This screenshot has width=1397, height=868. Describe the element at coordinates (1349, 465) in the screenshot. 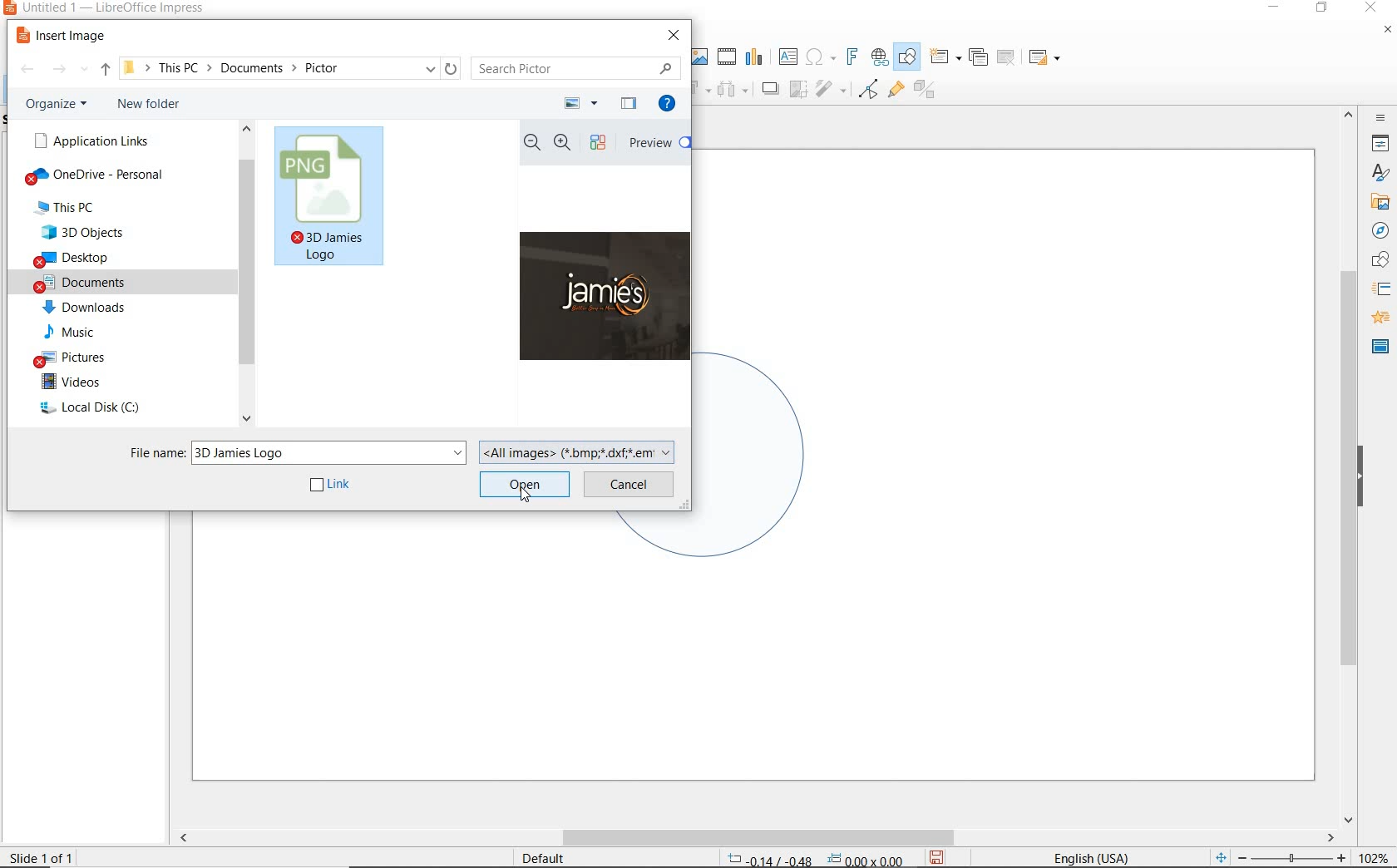

I see `scrollbar` at that location.